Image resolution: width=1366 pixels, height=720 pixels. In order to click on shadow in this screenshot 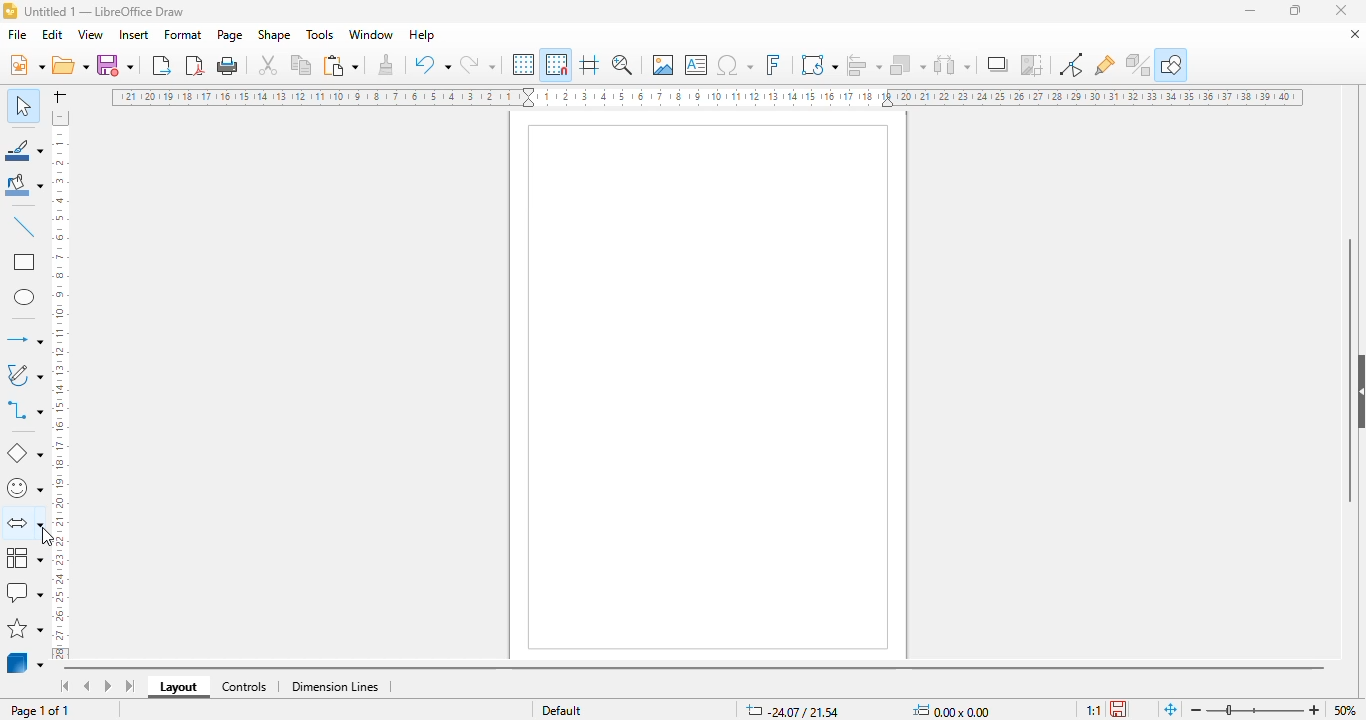, I will do `click(997, 64)`.